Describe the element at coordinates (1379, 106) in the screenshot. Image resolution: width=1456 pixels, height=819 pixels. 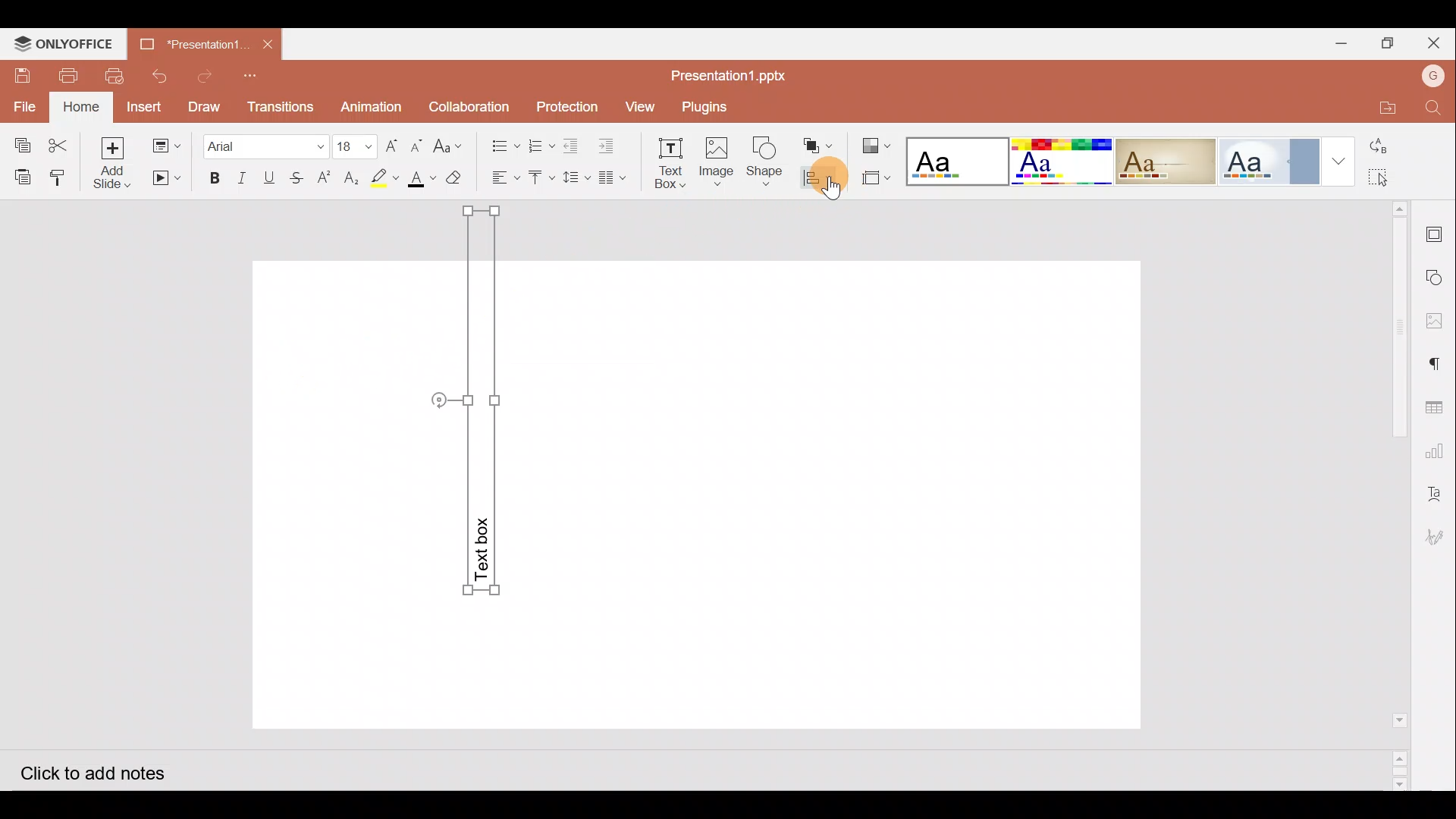
I see `Open file location` at that location.